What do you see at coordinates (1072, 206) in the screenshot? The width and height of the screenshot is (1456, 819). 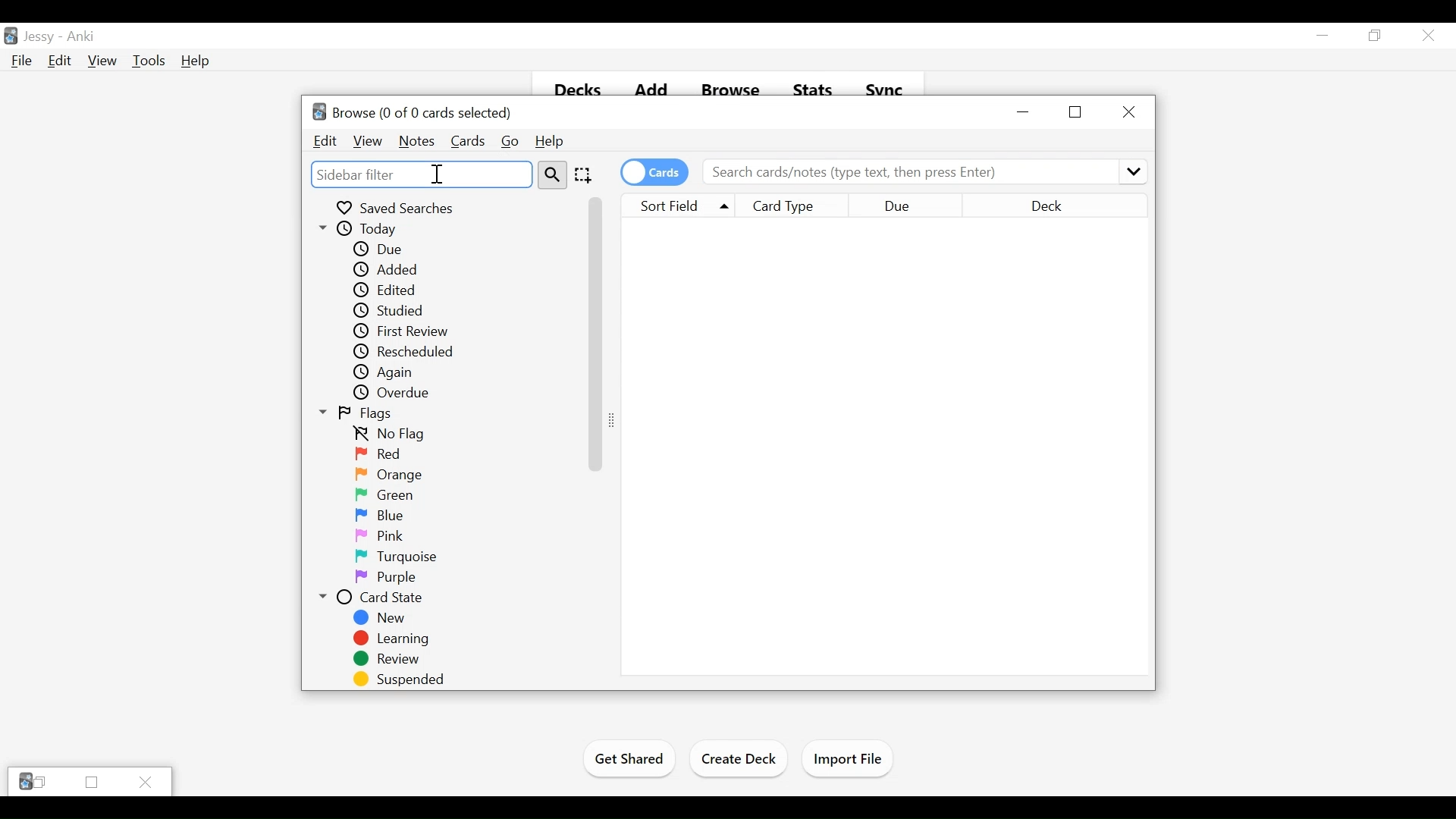 I see `Deck` at bounding box center [1072, 206].